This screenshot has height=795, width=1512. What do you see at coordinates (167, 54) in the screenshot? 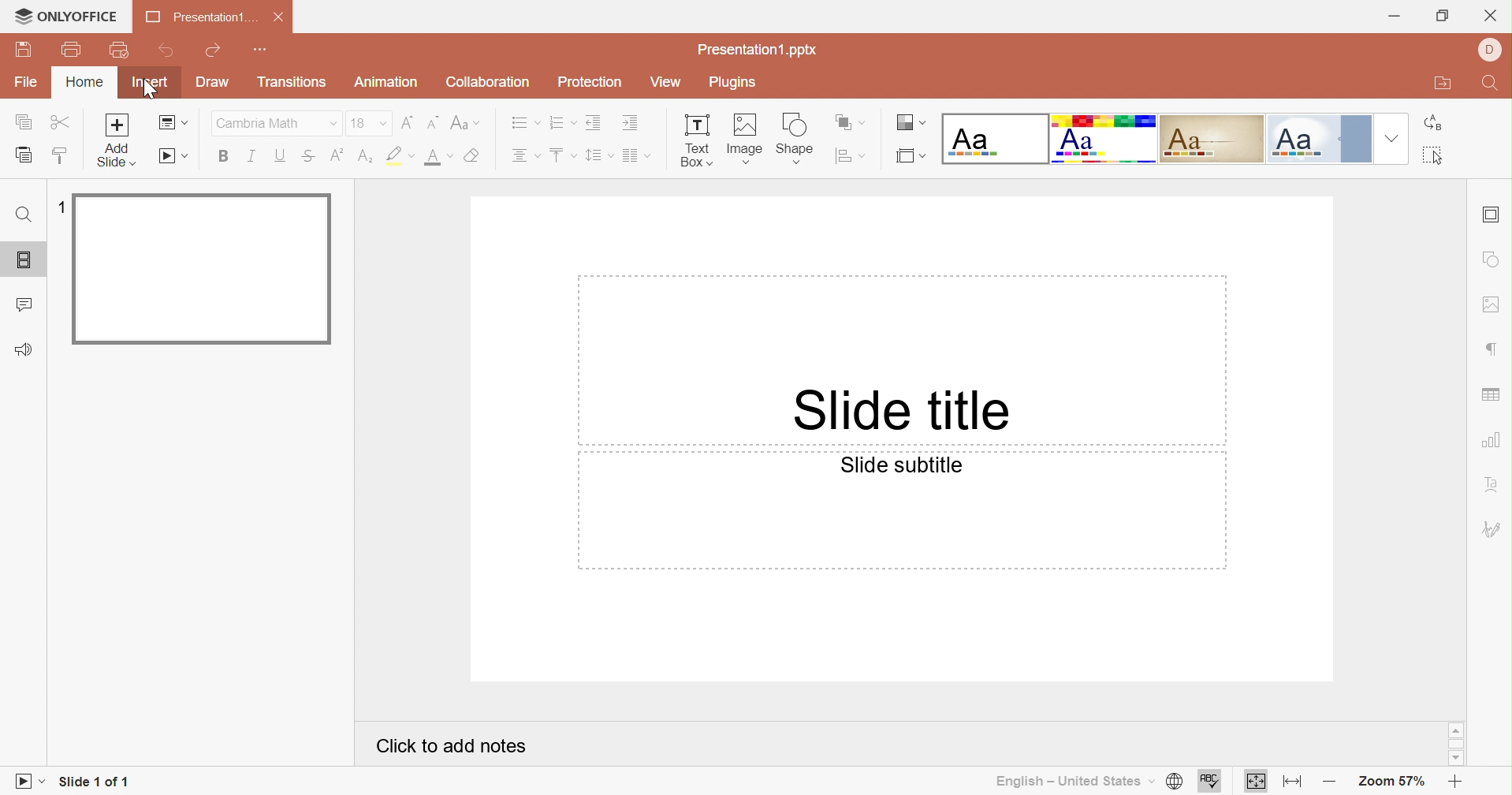
I see `Undo` at bounding box center [167, 54].